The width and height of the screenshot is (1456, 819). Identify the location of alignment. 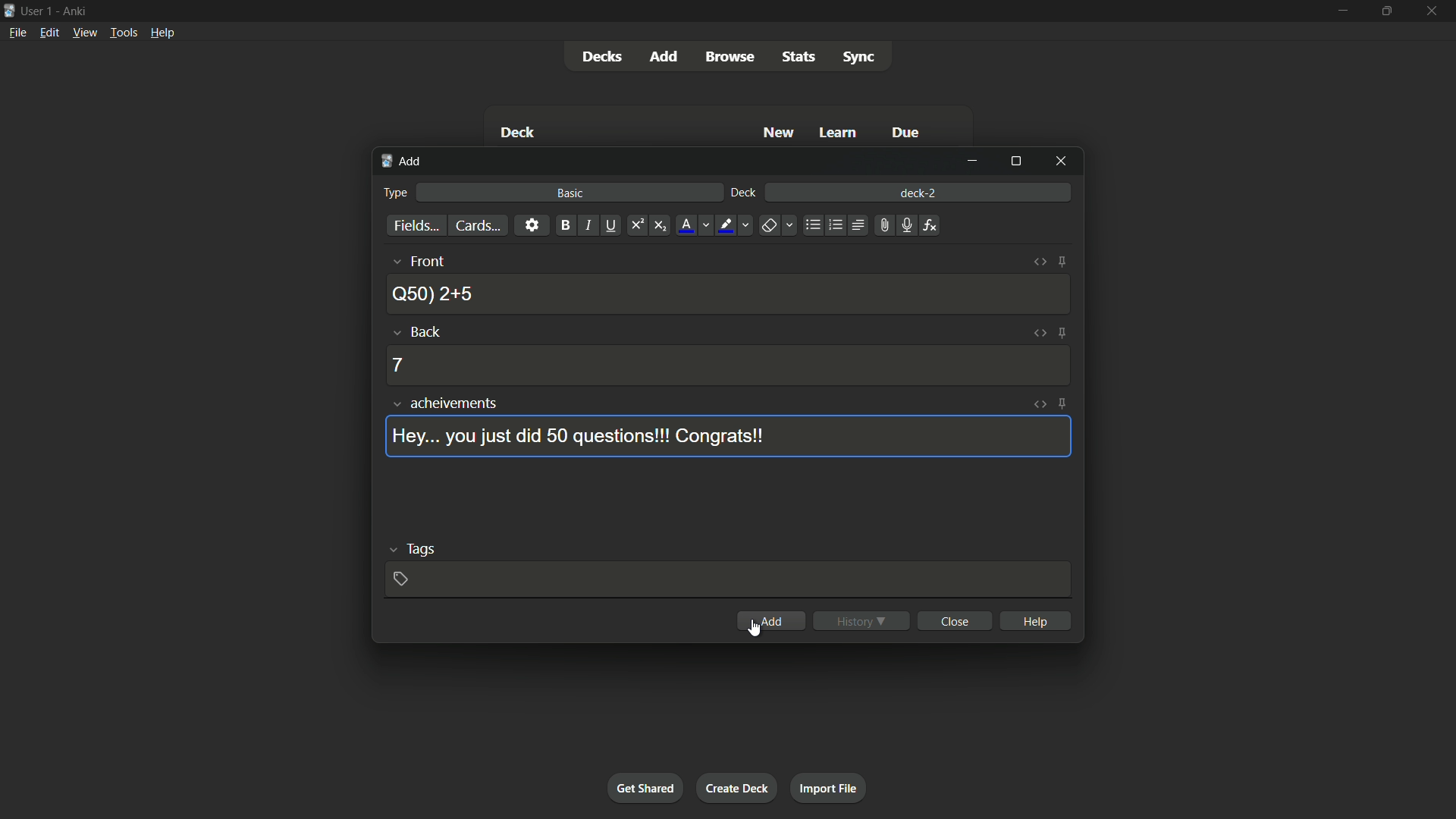
(858, 224).